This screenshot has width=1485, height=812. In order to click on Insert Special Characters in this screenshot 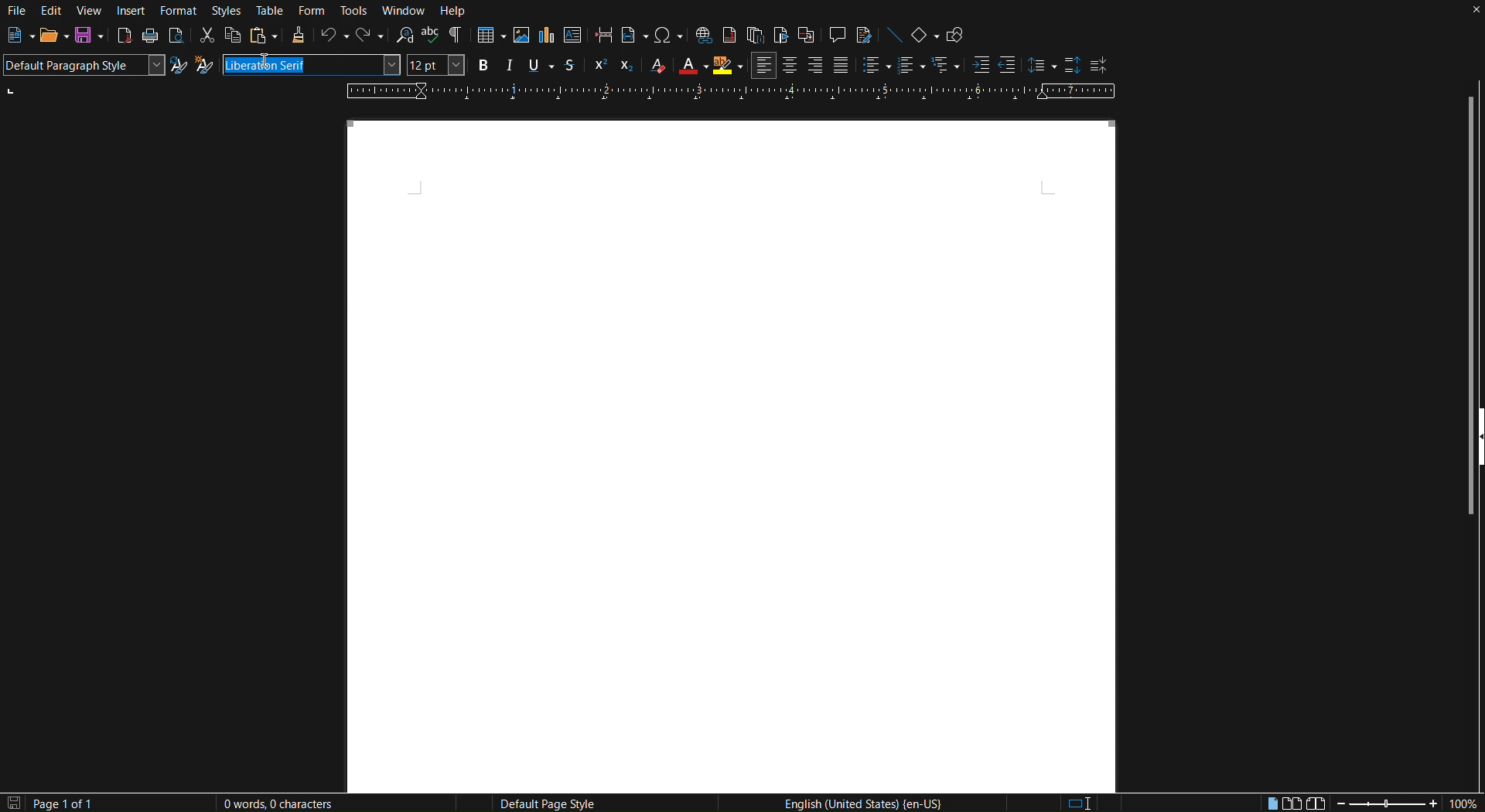, I will do `click(667, 37)`.